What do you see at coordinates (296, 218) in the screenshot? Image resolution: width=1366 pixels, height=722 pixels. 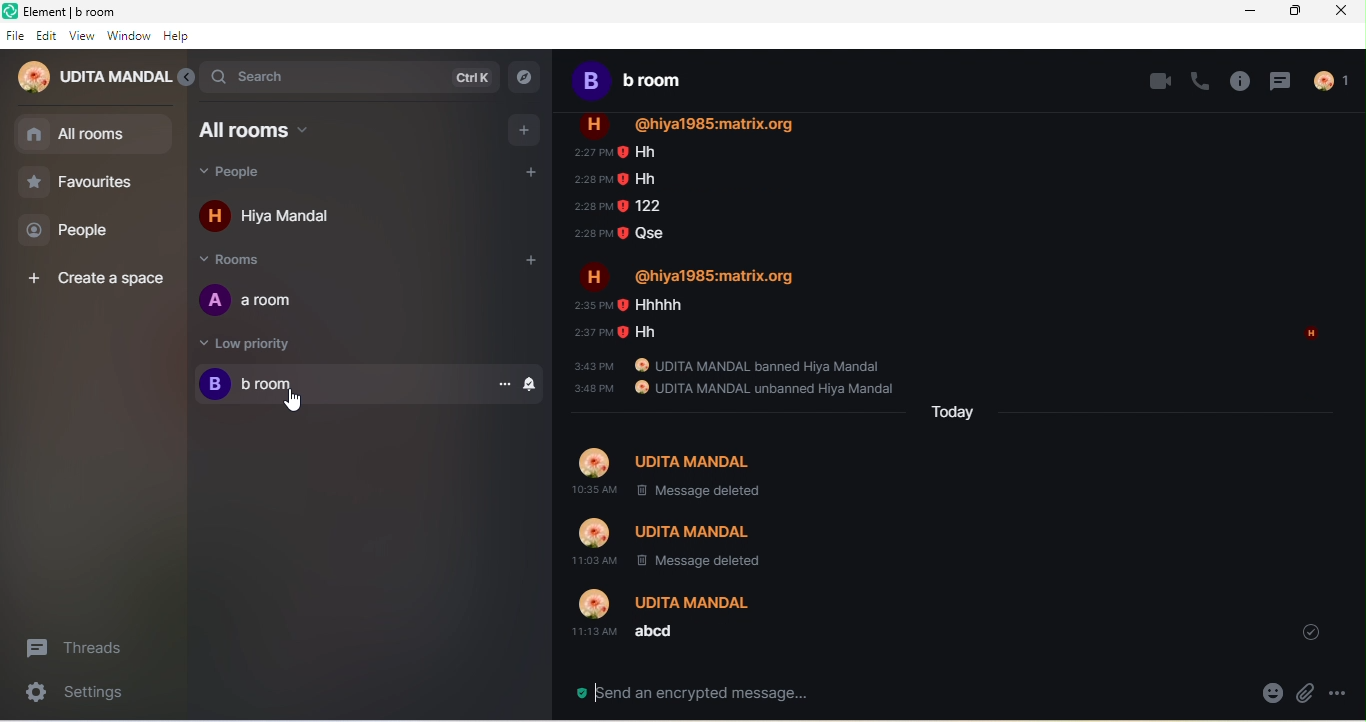 I see `hiya mandal` at bounding box center [296, 218].